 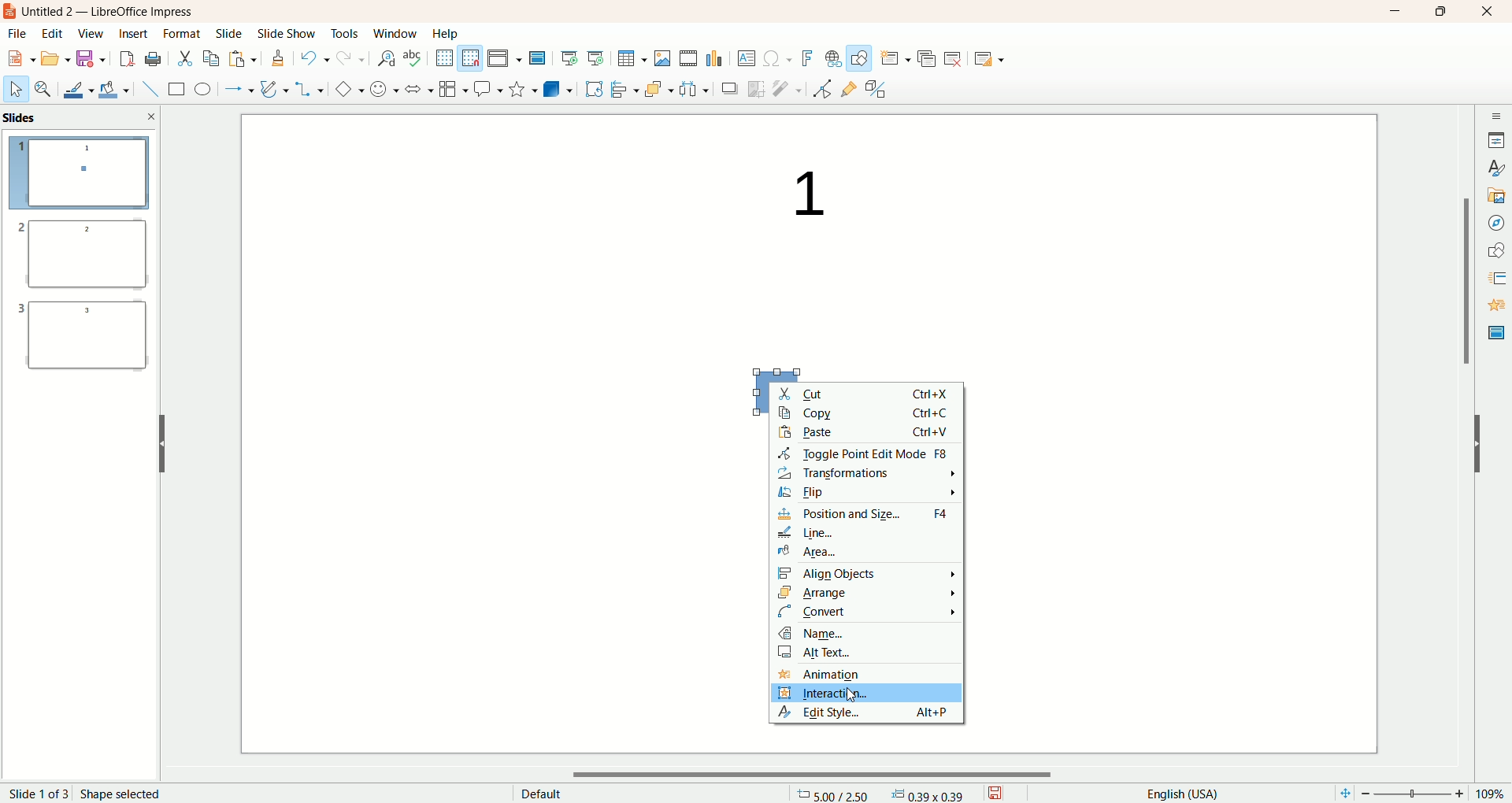 I want to click on master slide, so click(x=1494, y=333).